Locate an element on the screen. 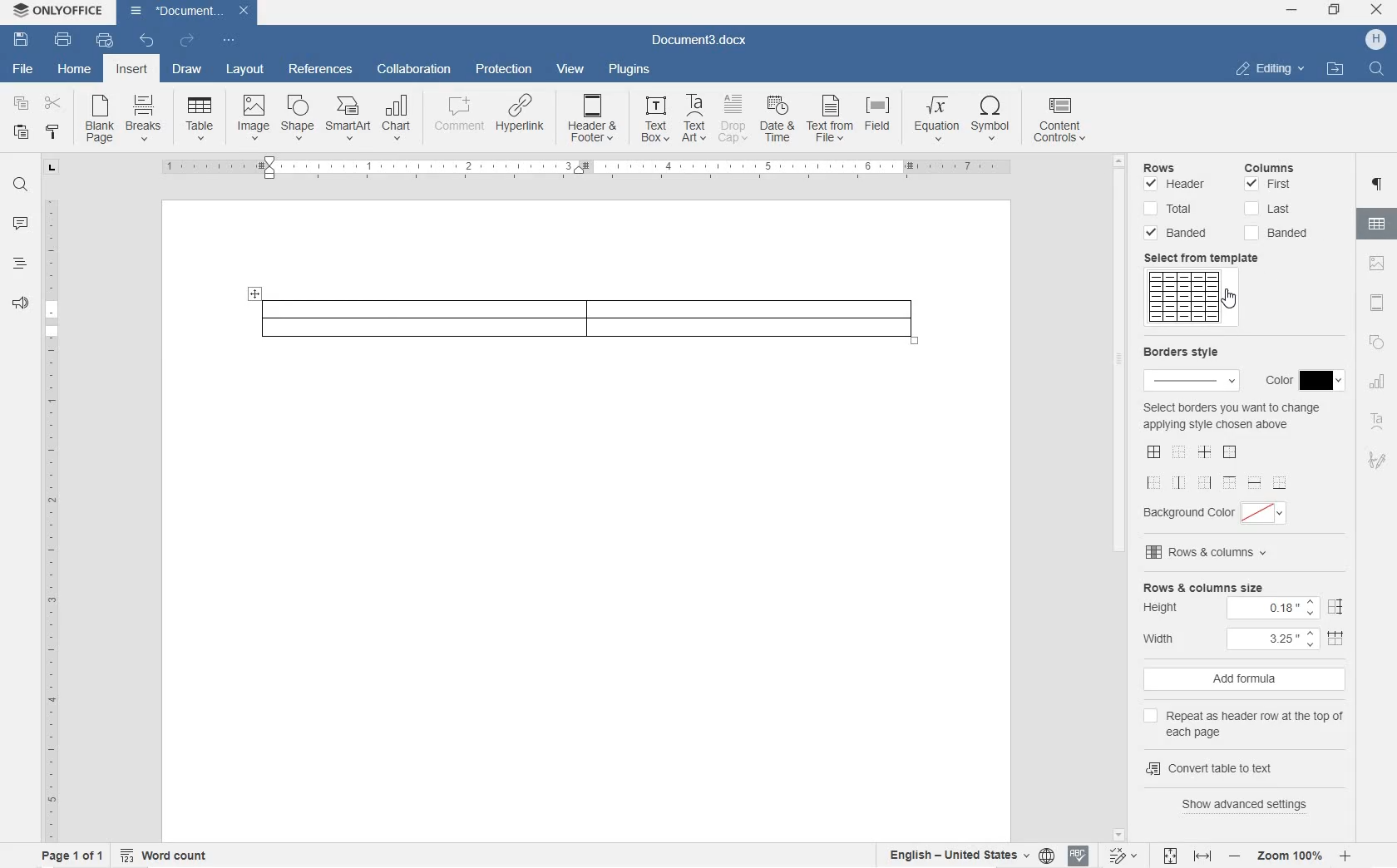 The image size is (1397, 868). SET TEXT OR DOCUMENT LANGUAGE is located at coordinates (966, 853).